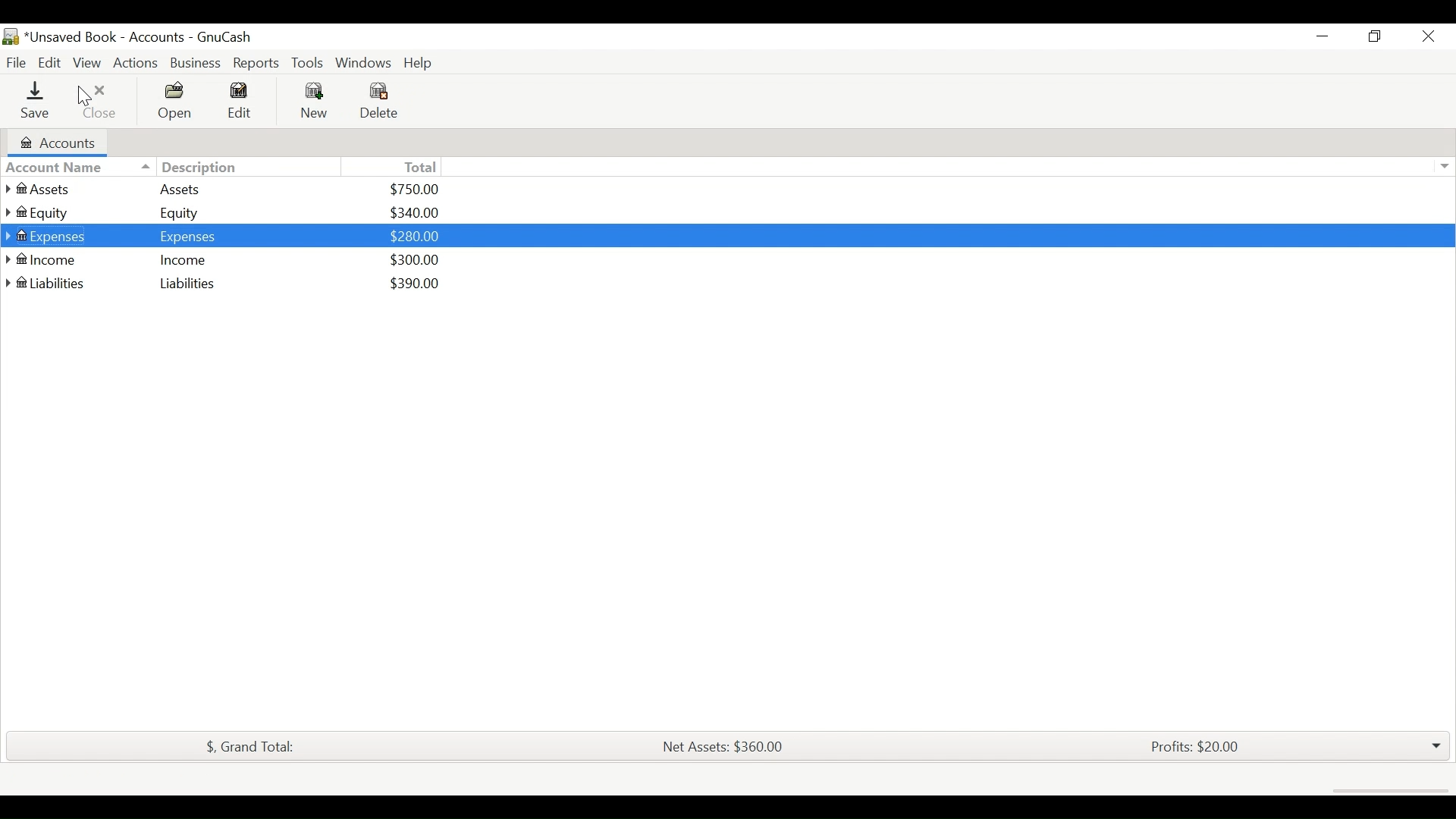 The width and height of the screenshot is (1456, 819). What do you see at coordinates (171, 102) in the screenshot?
I see `Open` at bounding box center [171, 102].